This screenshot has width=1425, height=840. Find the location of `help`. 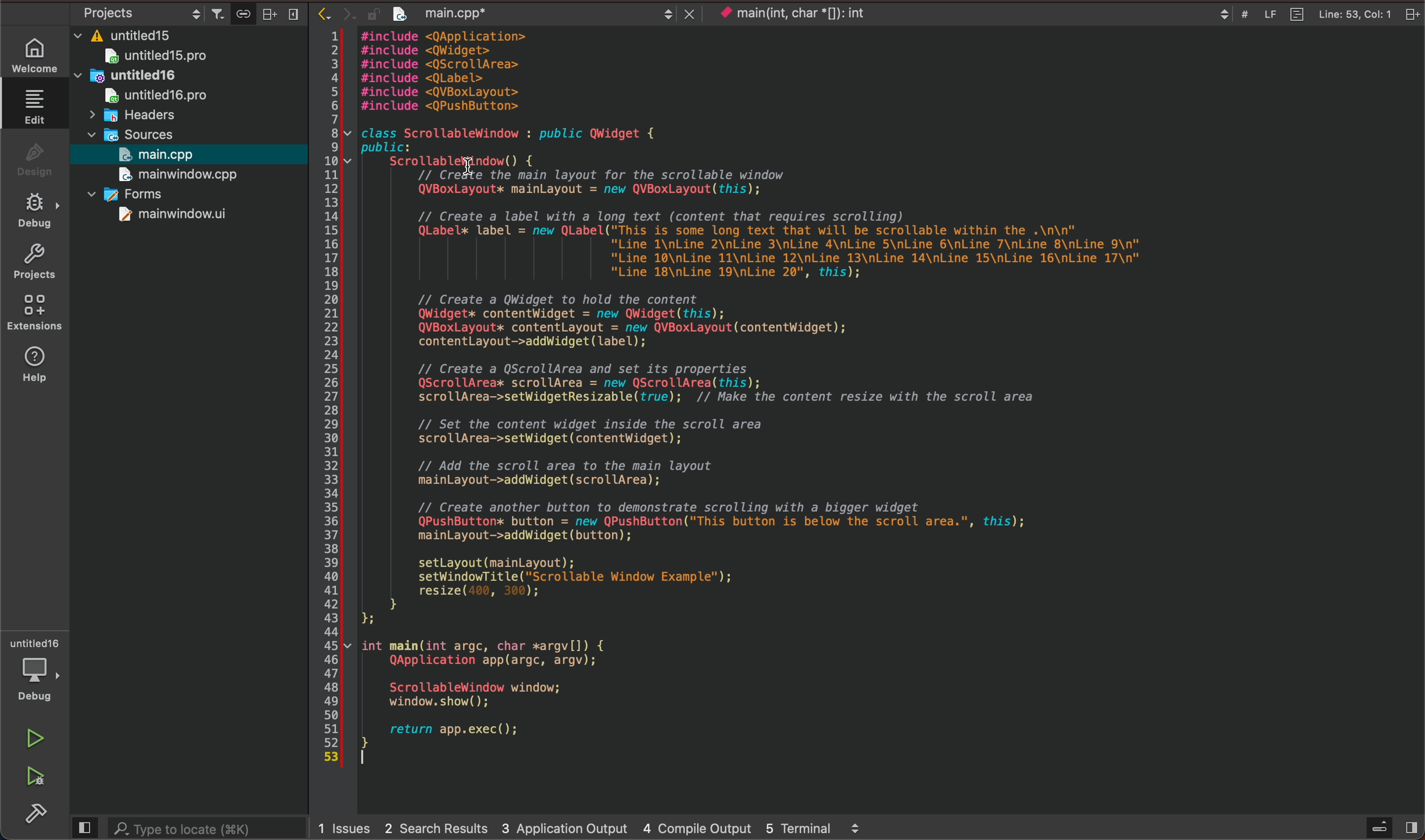

help is located at coordinates (35, 363).